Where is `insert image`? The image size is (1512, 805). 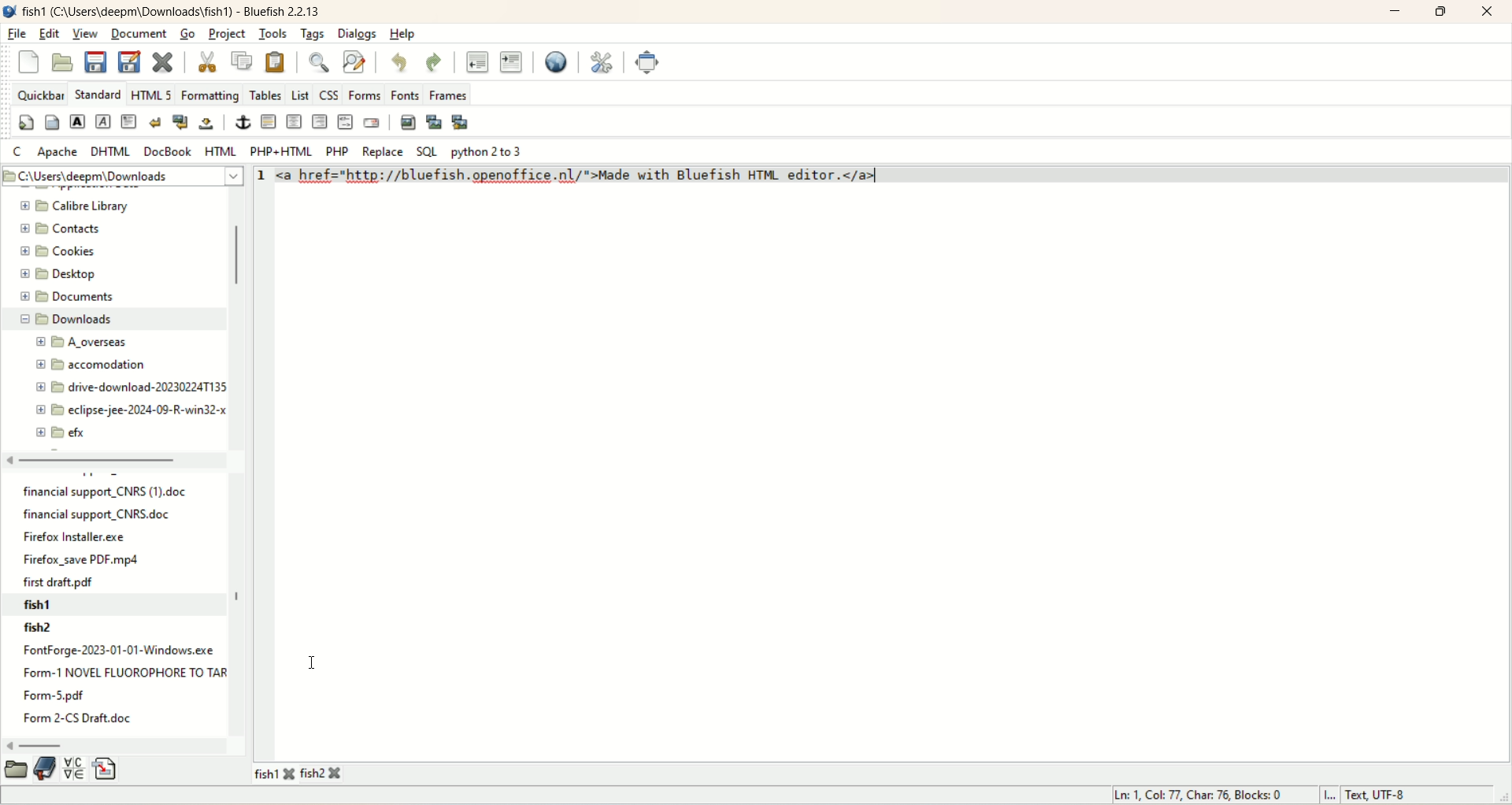 insert image is located at coordinates (409, 121).